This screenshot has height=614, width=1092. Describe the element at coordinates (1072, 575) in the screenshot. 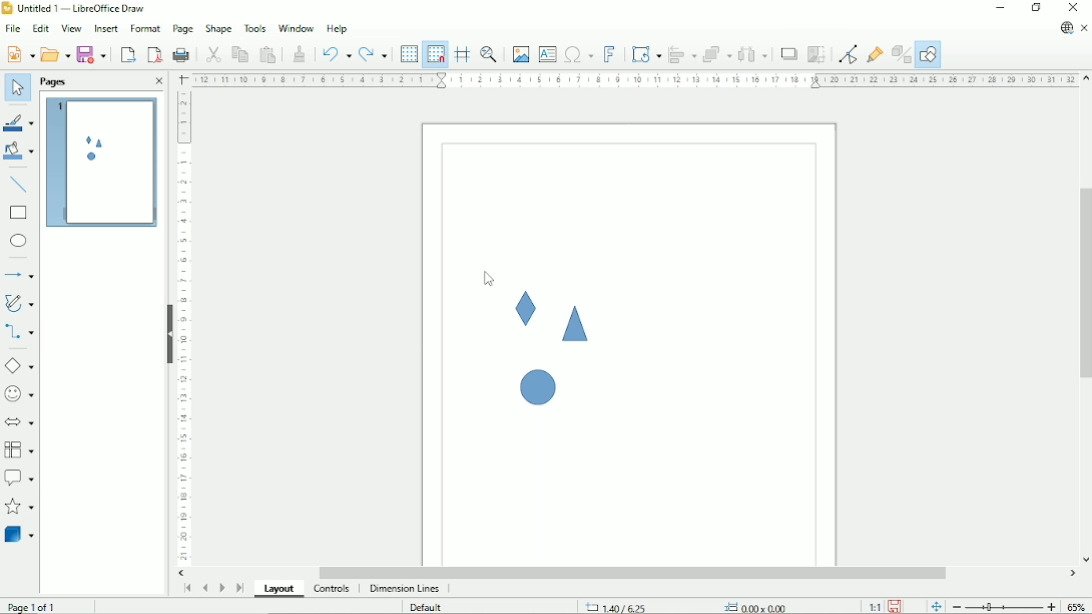

I see `Horizontal scroll button` at that location.